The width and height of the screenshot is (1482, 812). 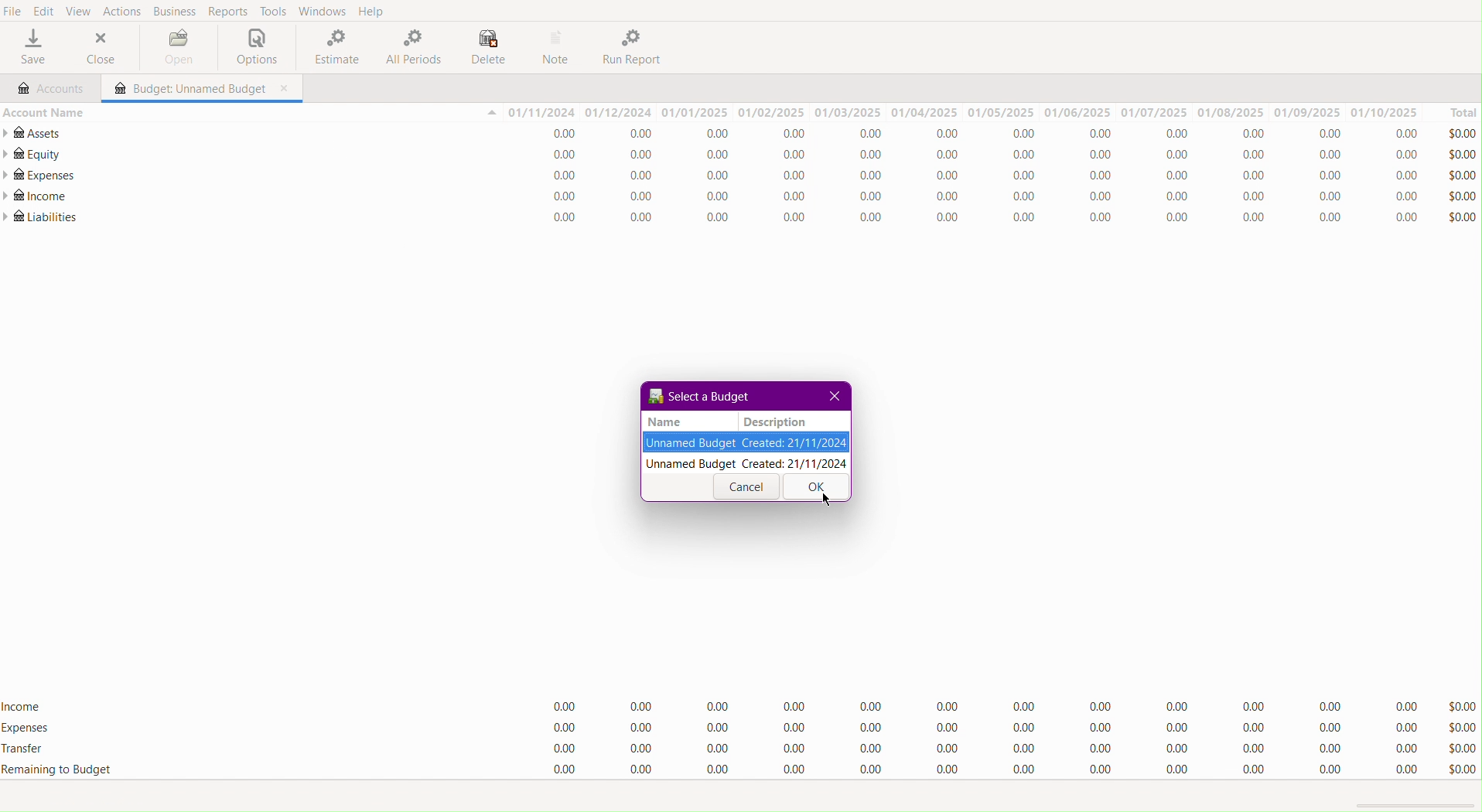 What do you see at coordinates (746, 488) in the screenshot?
I see `Cancel` at bounding box center [746, 488].